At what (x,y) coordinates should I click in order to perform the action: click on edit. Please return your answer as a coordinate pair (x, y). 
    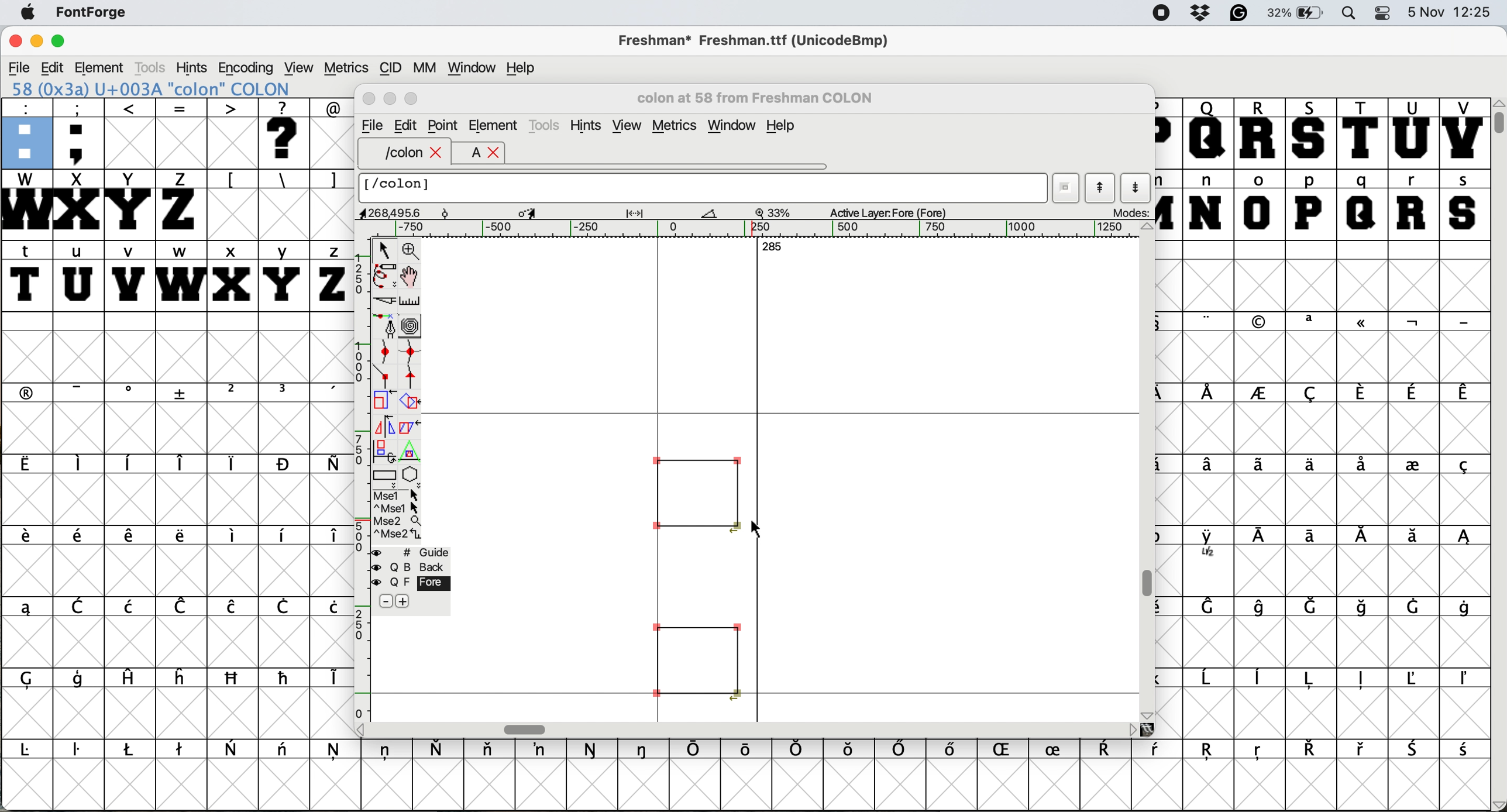
    Looking at the image, I should click on (407, 126).